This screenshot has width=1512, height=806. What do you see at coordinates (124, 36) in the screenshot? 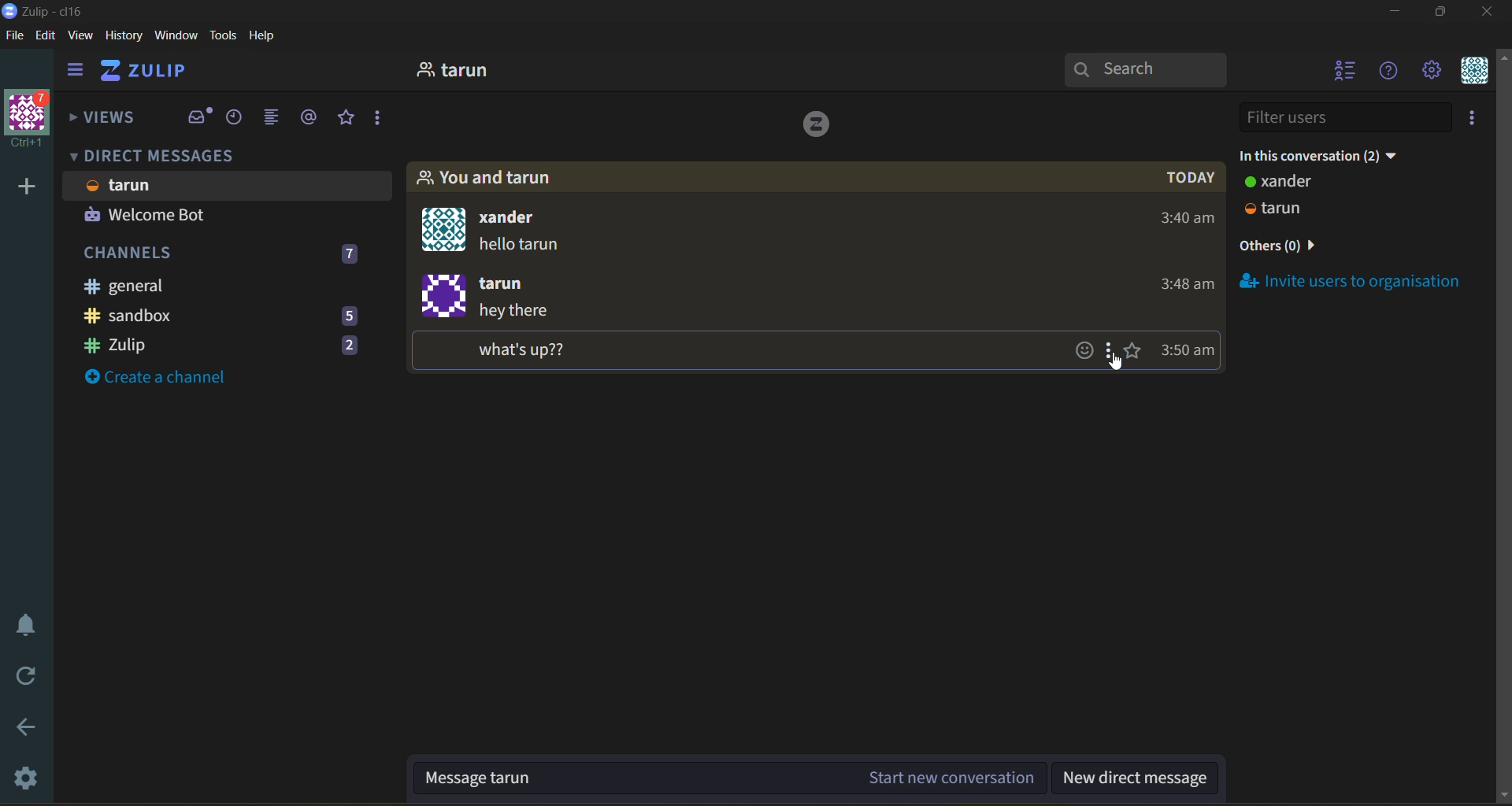
I see `history` at bounding box center [124, 36].